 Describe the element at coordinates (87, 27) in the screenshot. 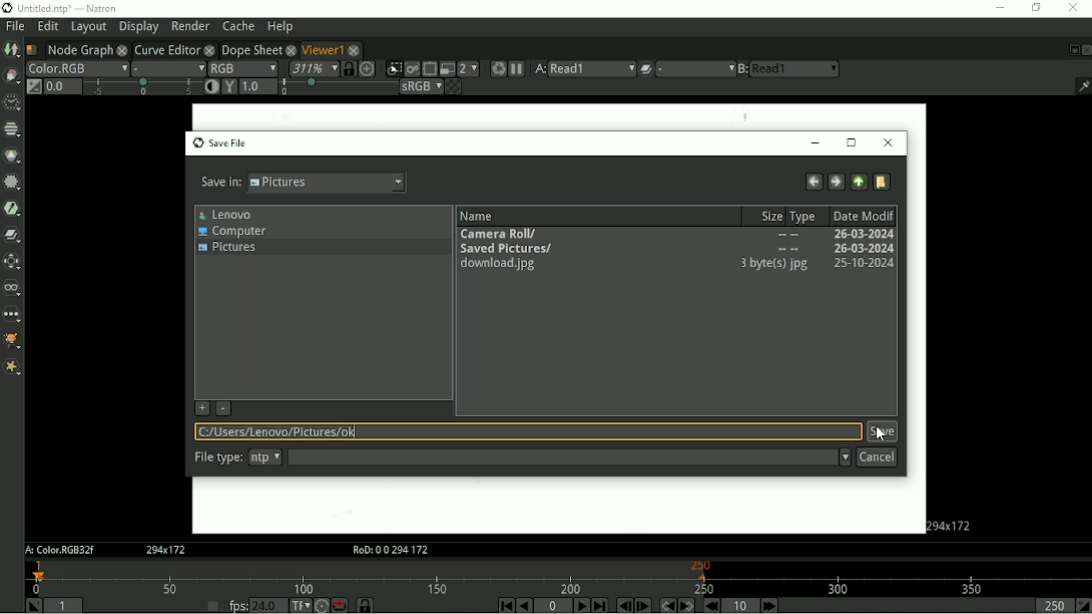

I see `Layout` at that location.